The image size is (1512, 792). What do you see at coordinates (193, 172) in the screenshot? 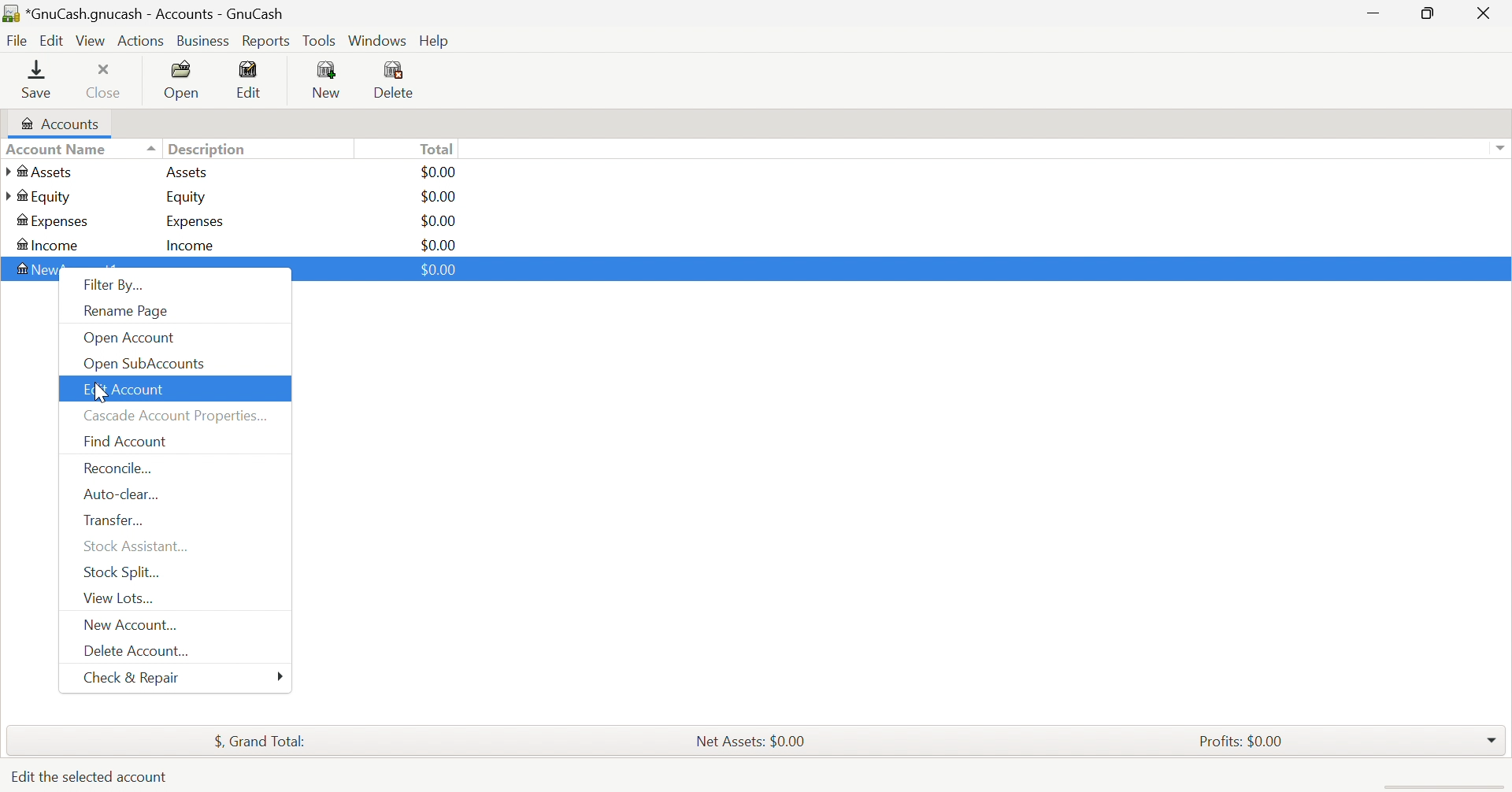
I see `Assets` at bounding box center [193, 172].